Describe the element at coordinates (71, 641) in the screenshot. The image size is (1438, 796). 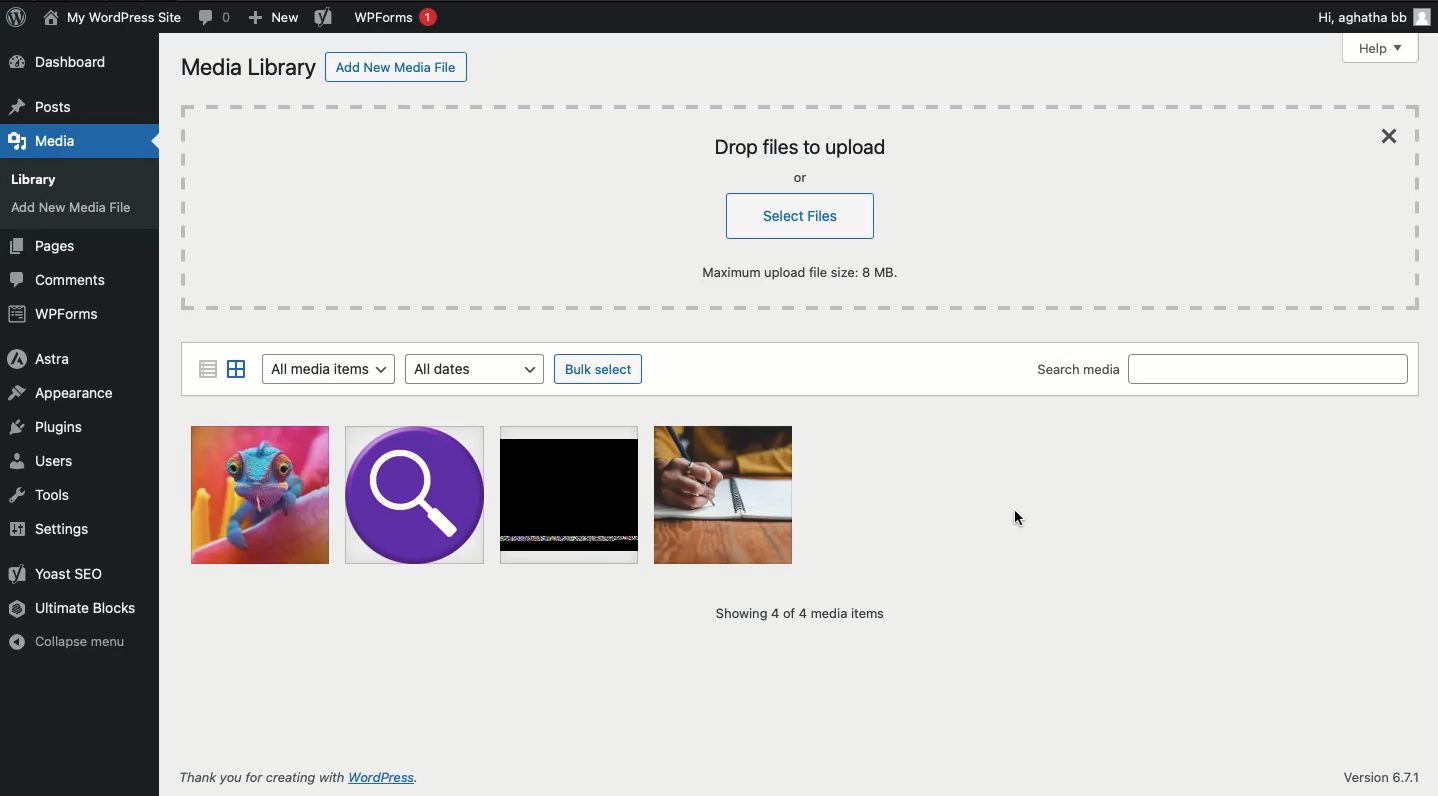
I see `Collapse menu` at that location.